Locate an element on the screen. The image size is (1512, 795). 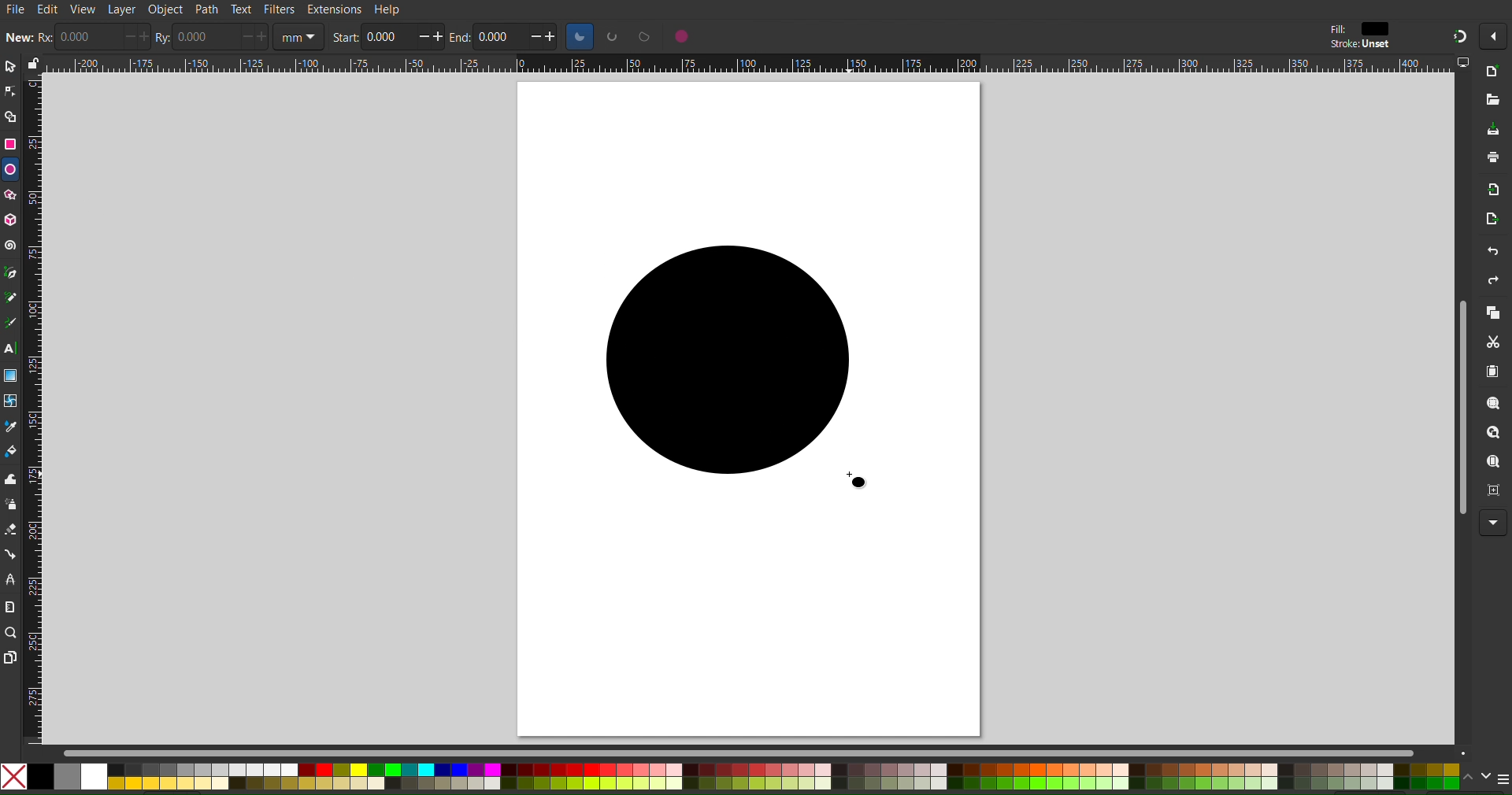
increase/decrease is located at coordinates (253, 36).